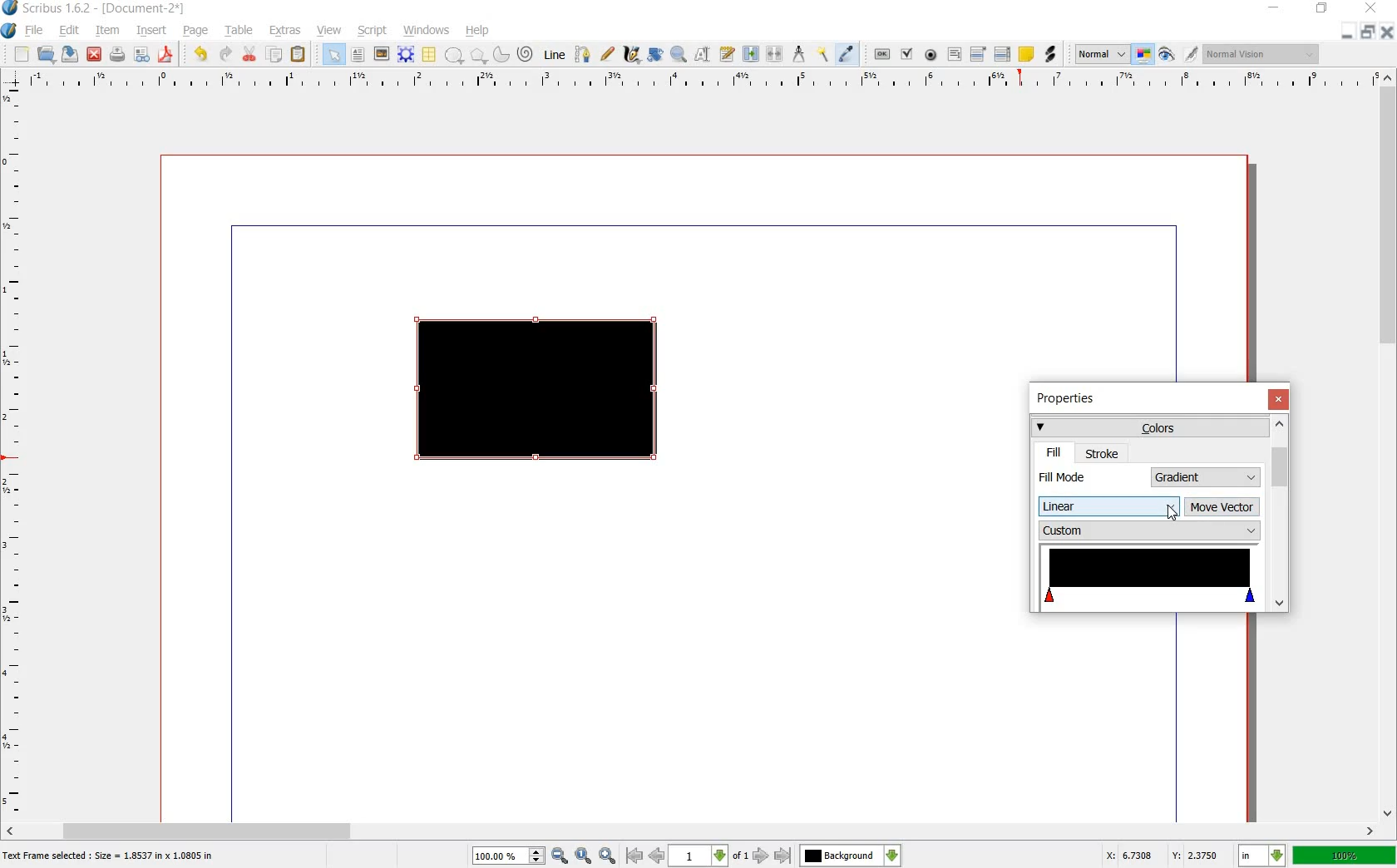  What do you see at coordinates (726, 54) in the screenshot?
I see `edit text with story editor` at bounding box center [726, 54].